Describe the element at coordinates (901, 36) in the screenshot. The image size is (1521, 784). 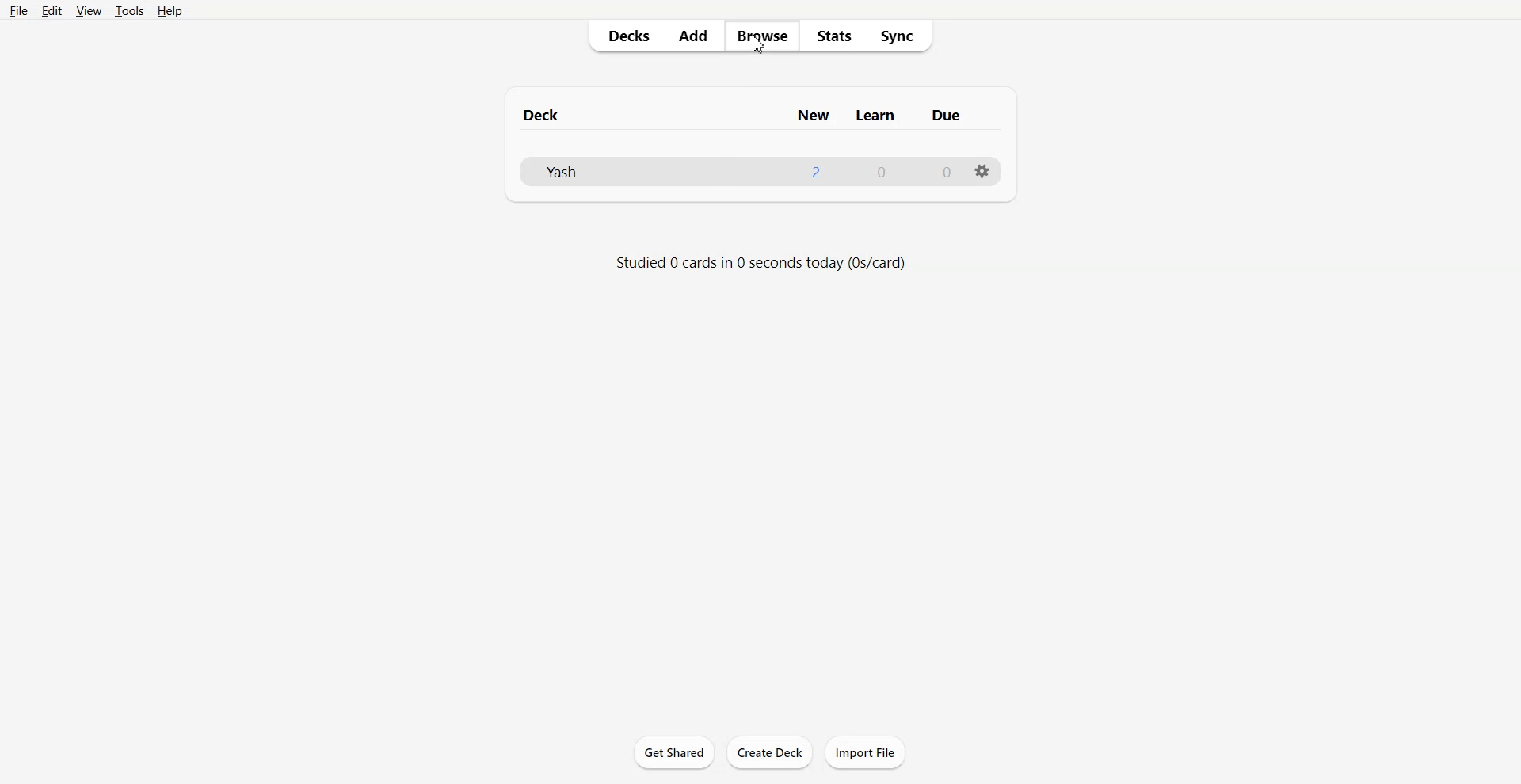
I see `Sync` at that location.